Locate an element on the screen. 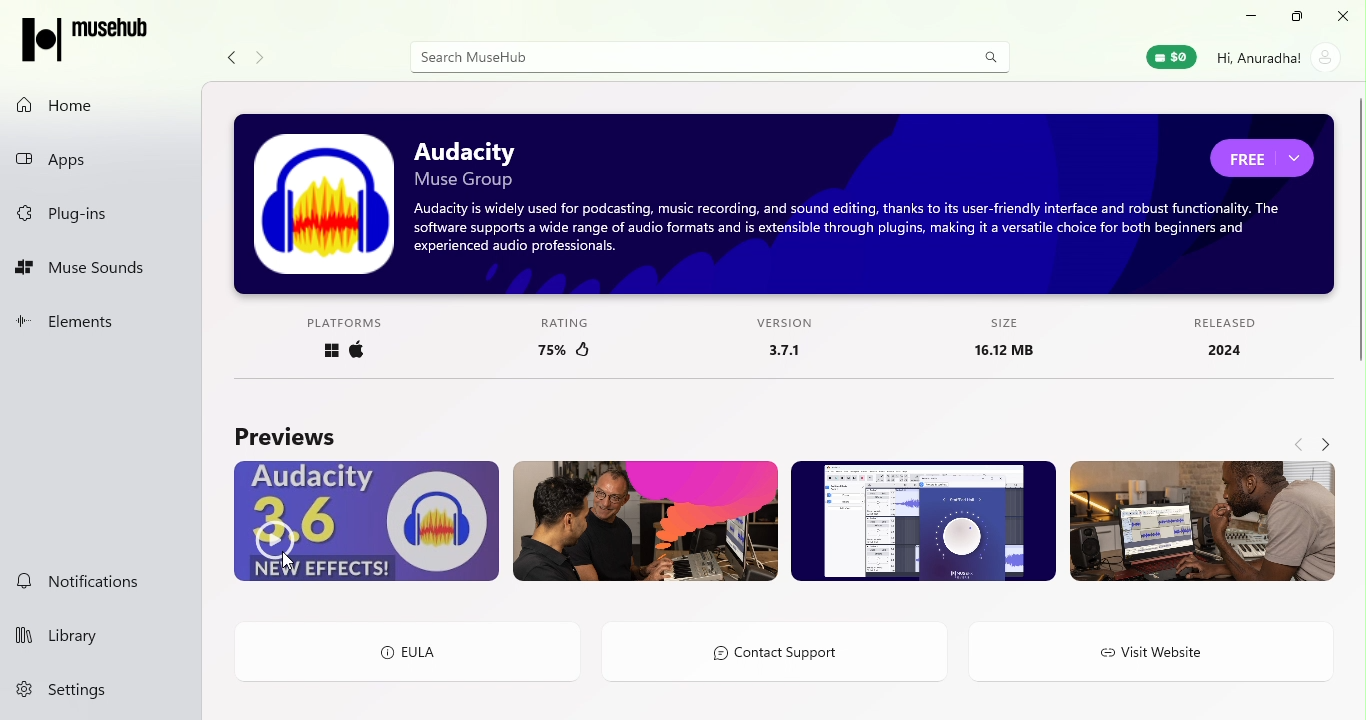 The height and width of the screenshot is (720, 1366). Library is located at coordinates (99, 634).